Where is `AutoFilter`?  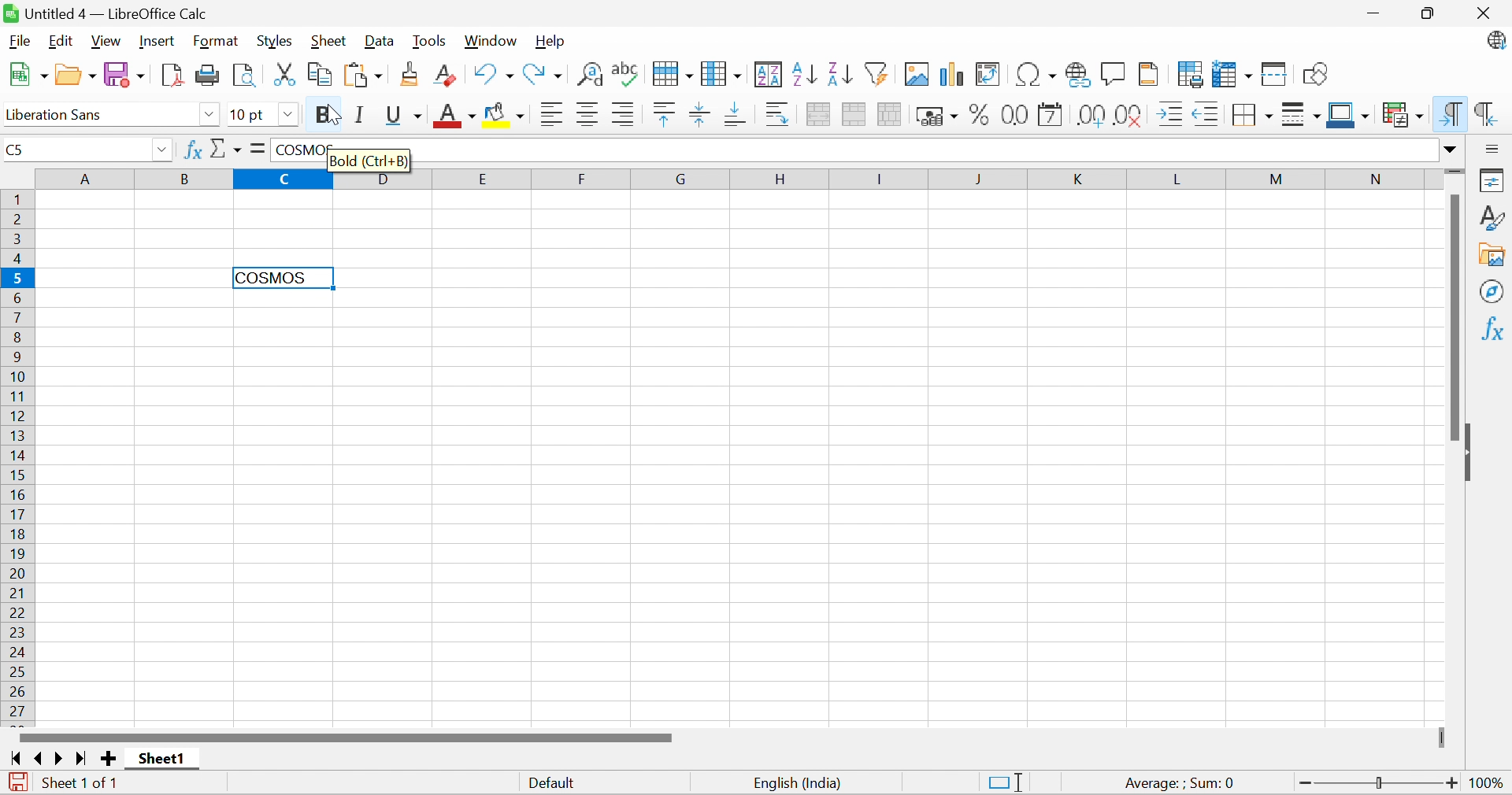
AutoFilter is located at coordinates (878, 75).